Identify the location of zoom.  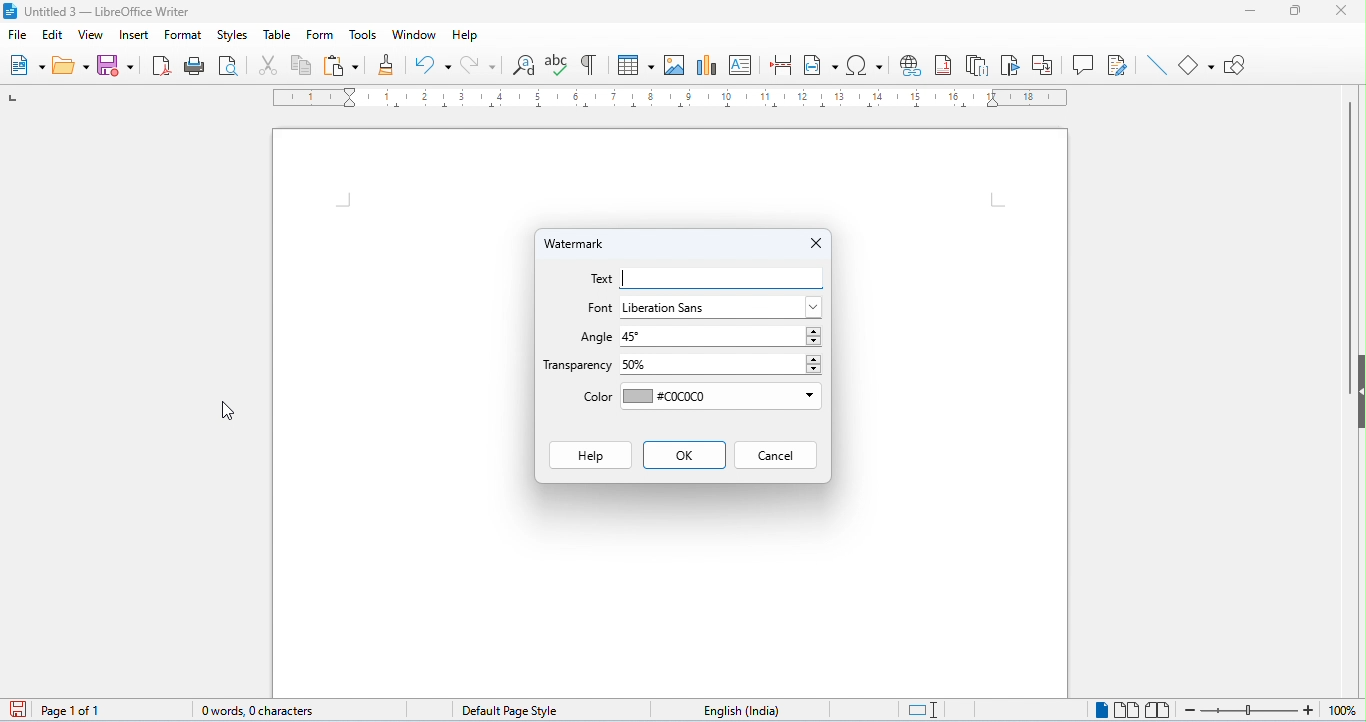
(1274, 711).